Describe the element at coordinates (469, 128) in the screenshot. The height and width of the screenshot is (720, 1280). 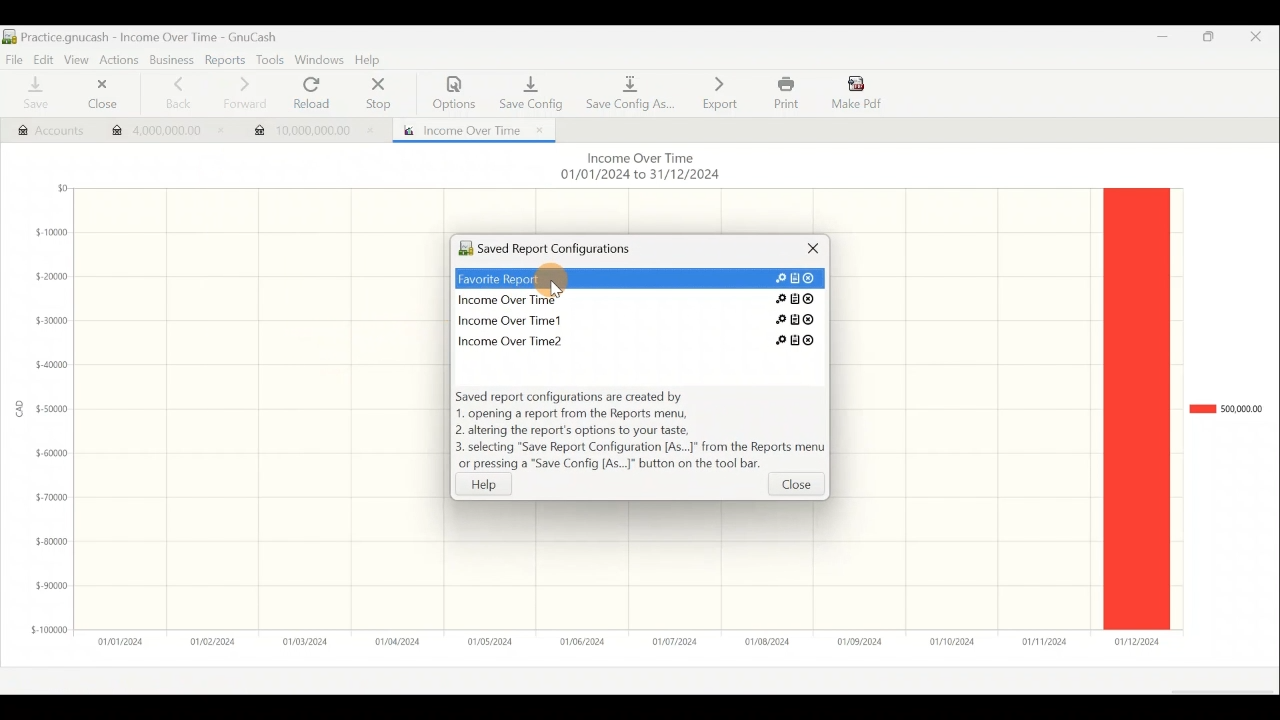
I see `Report` at that location.